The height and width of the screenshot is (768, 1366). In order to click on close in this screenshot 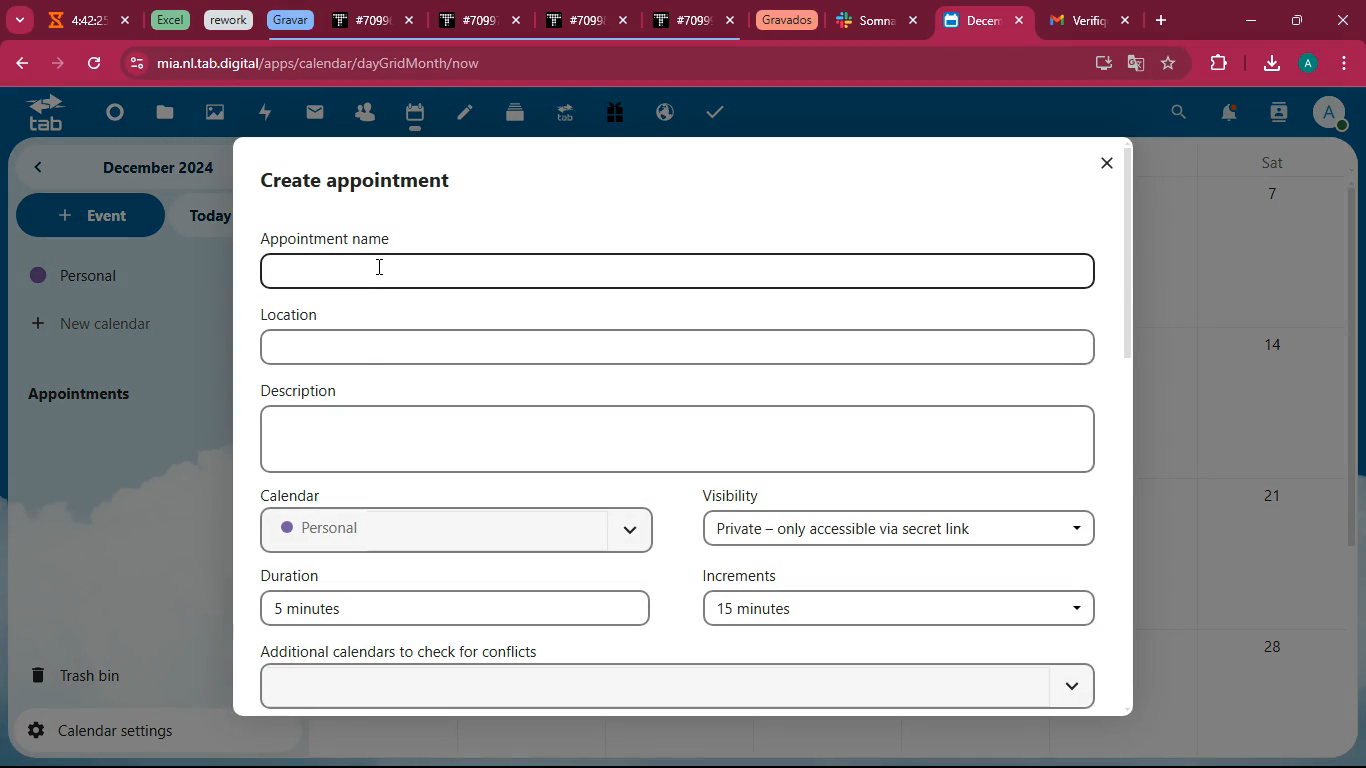, I will do `click(127, 21)`.